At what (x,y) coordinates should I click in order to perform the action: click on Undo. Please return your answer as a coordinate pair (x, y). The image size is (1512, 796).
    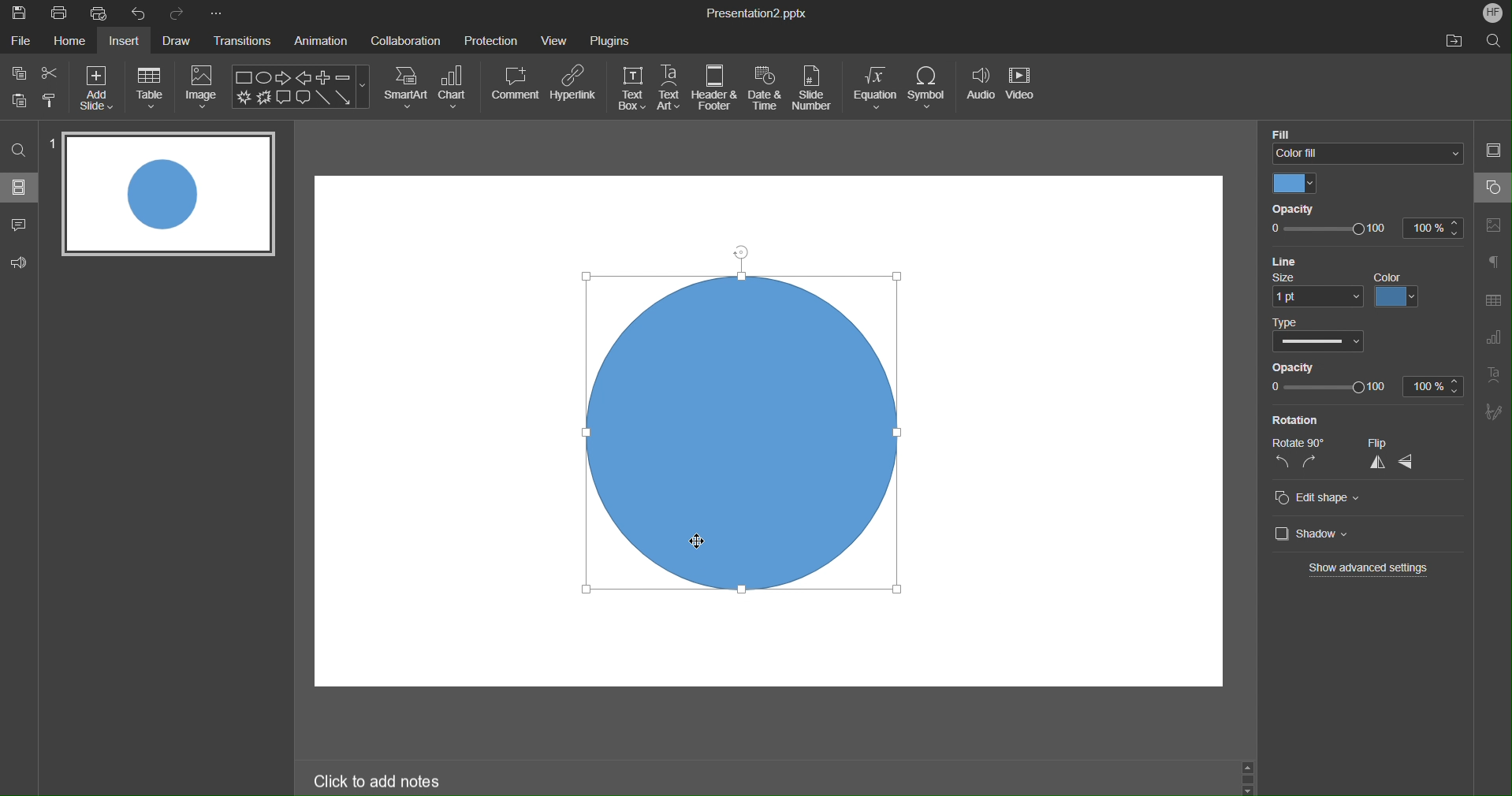
    Looking at the image, I should click on (142, 13).